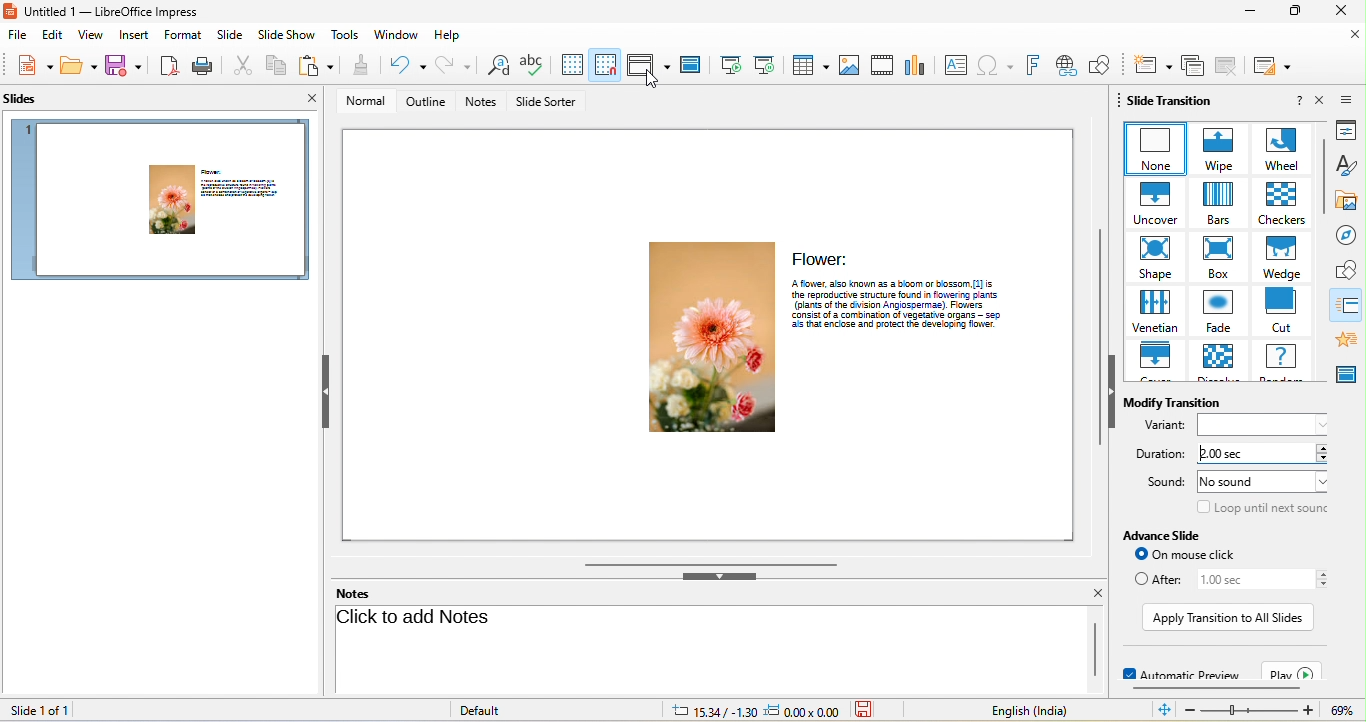 The width and height of the screenshot is (1366, 722). Describe the element at coordinates (1325, 459) in the screenshot. I see `decrease duration` at that location.